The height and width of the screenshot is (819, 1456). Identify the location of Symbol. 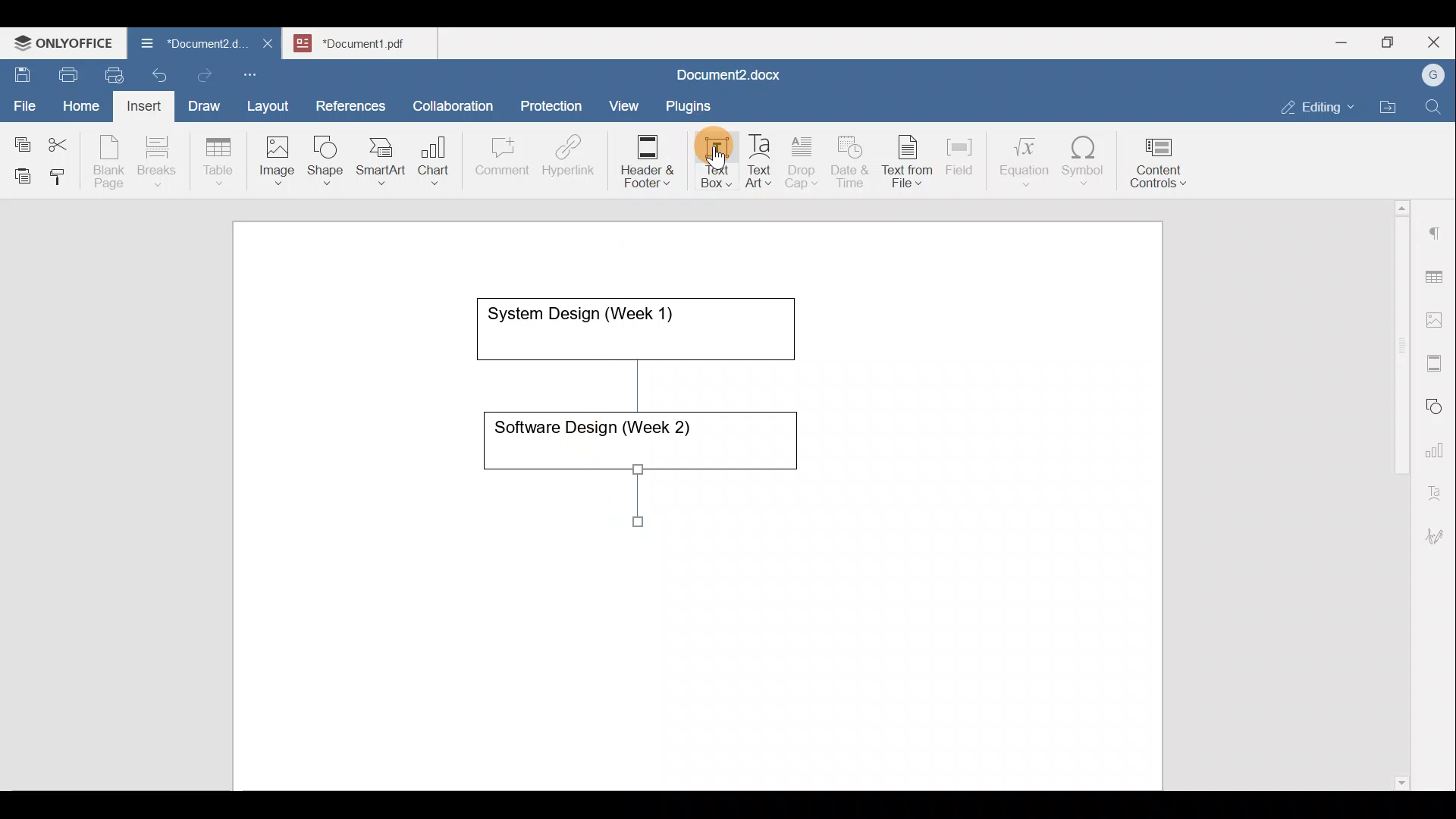
(1084, 165).